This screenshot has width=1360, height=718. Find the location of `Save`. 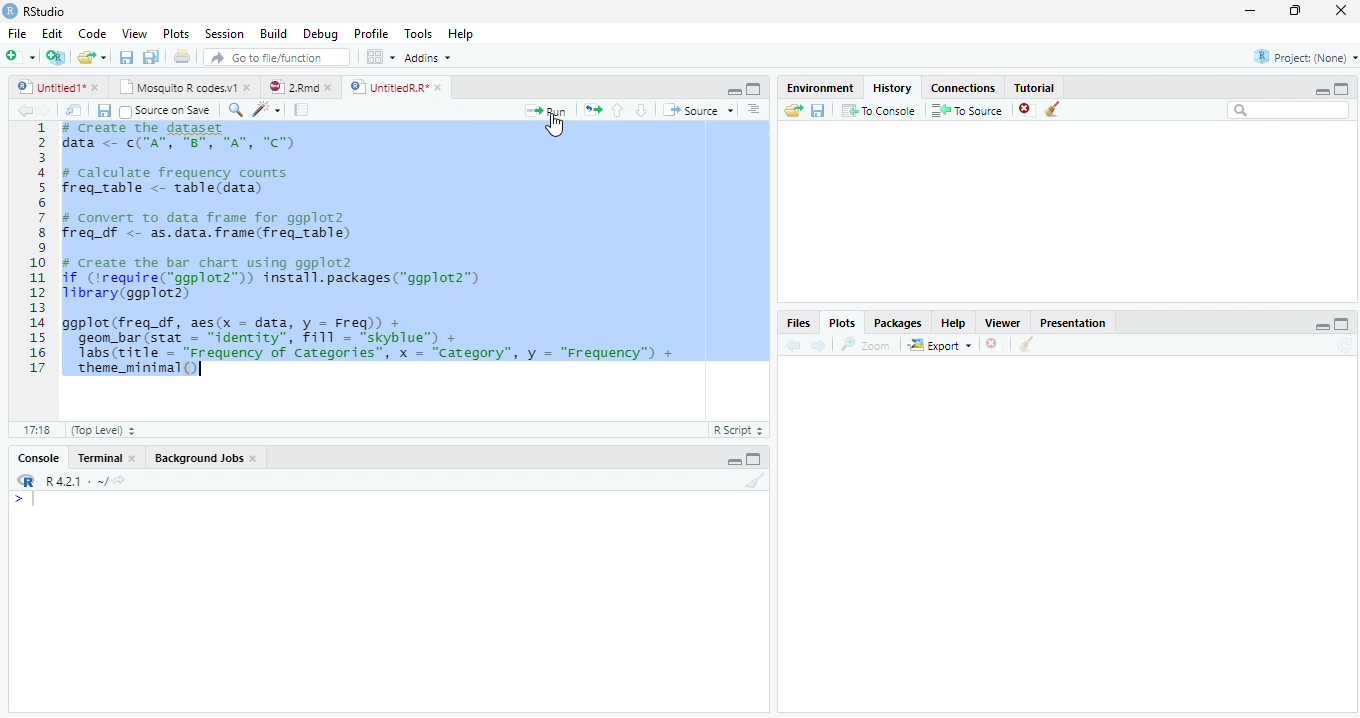

Save is located at coordinates (126, 58).